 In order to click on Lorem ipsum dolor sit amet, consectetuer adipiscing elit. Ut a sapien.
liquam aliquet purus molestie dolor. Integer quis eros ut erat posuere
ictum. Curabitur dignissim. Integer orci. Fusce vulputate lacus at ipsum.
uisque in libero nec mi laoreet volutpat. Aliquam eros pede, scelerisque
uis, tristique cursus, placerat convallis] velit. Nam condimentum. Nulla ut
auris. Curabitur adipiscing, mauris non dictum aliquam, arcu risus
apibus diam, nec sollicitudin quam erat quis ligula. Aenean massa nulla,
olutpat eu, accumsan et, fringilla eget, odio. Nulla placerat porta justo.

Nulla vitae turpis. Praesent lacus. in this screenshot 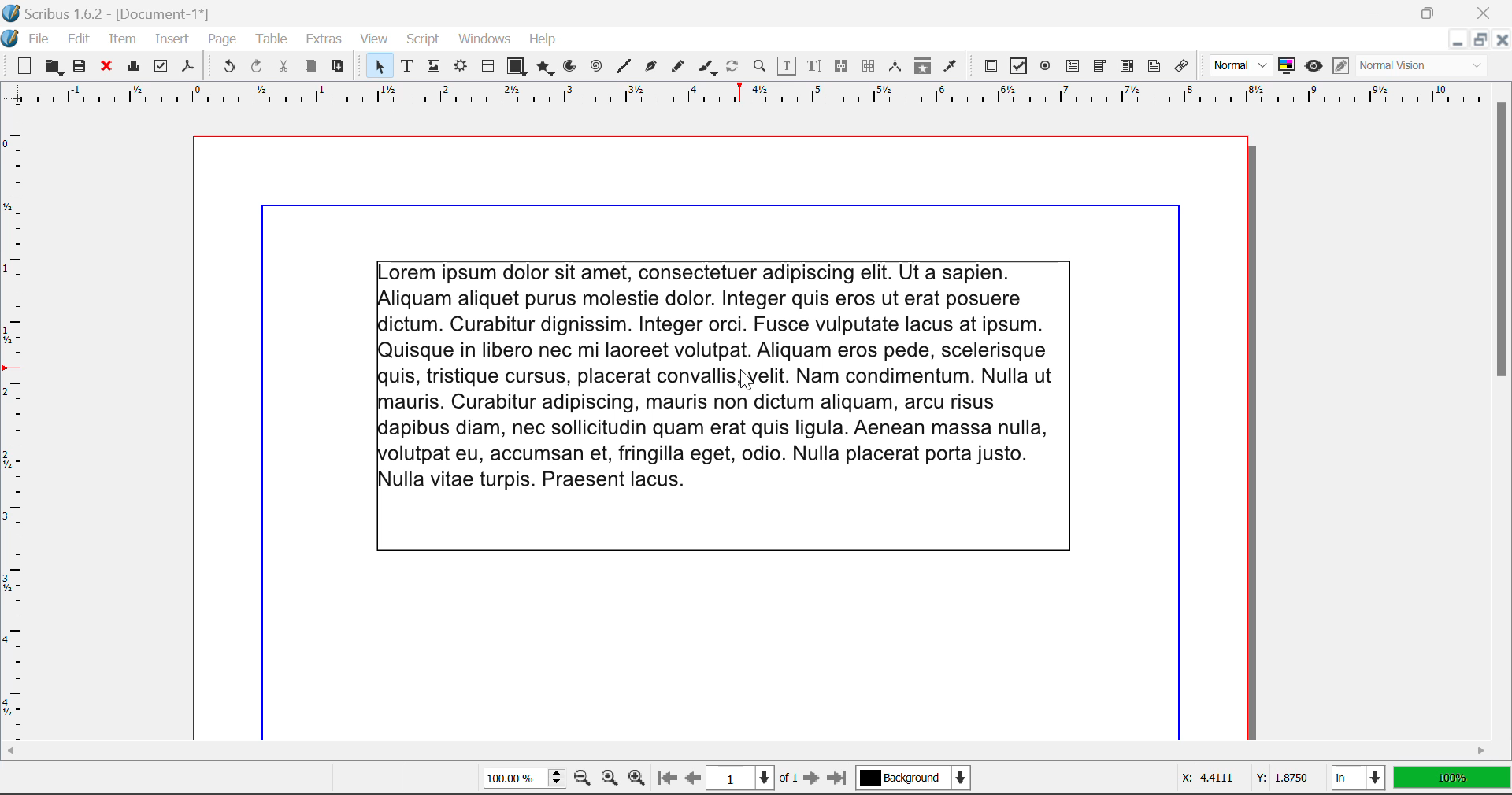, I will do `click(722, 402)`.